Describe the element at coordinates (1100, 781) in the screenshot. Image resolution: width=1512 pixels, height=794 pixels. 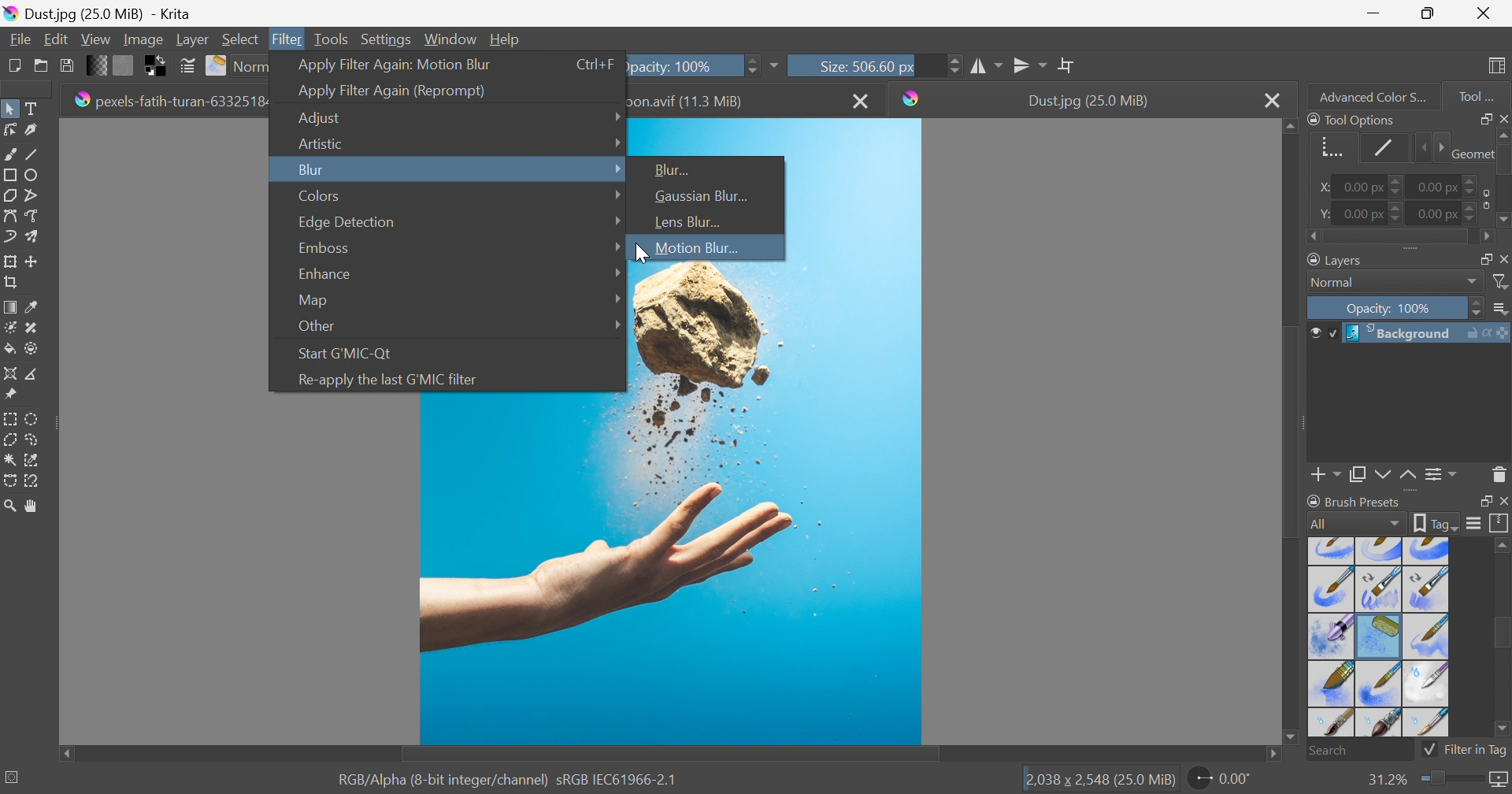
I see `2,038*2,548 (25.0 MB)` at that location.